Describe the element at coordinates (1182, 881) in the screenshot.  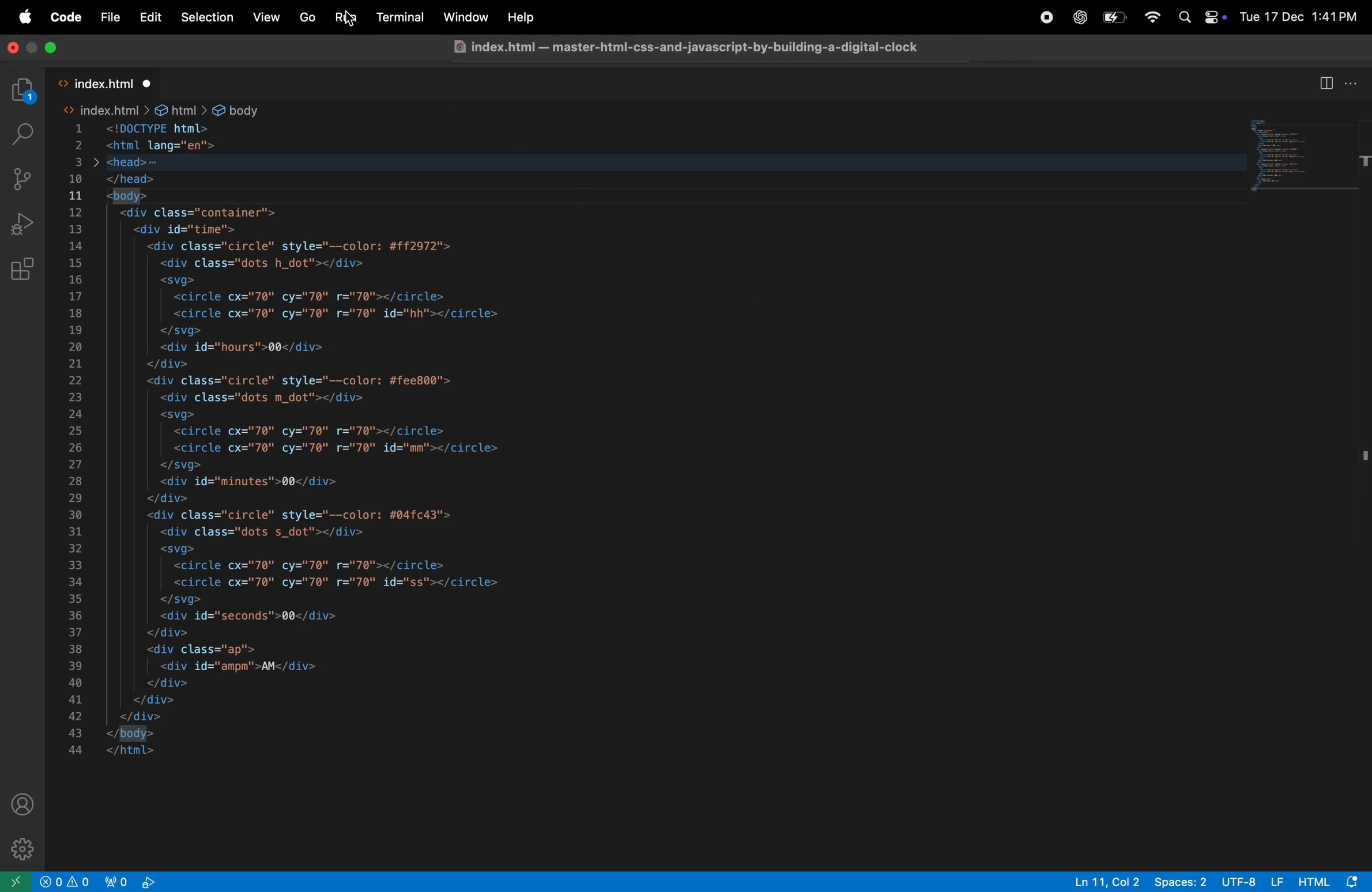
I see `Spaces: 2` at that location.